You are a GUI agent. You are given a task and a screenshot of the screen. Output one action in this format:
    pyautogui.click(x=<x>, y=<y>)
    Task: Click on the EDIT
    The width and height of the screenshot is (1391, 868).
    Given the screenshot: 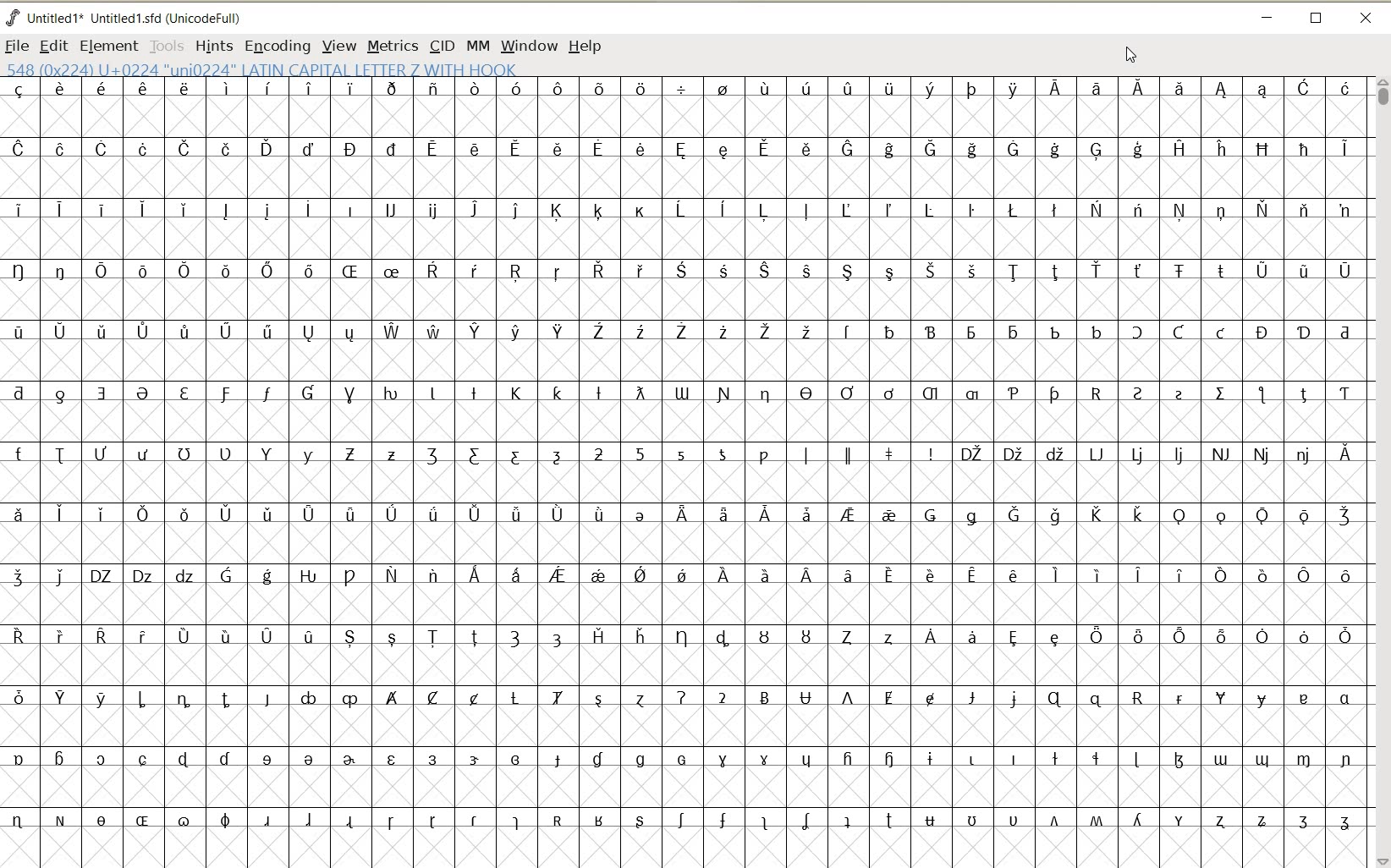 What is the action you would take?
    pyautogui.click(x=52, y=47)
    